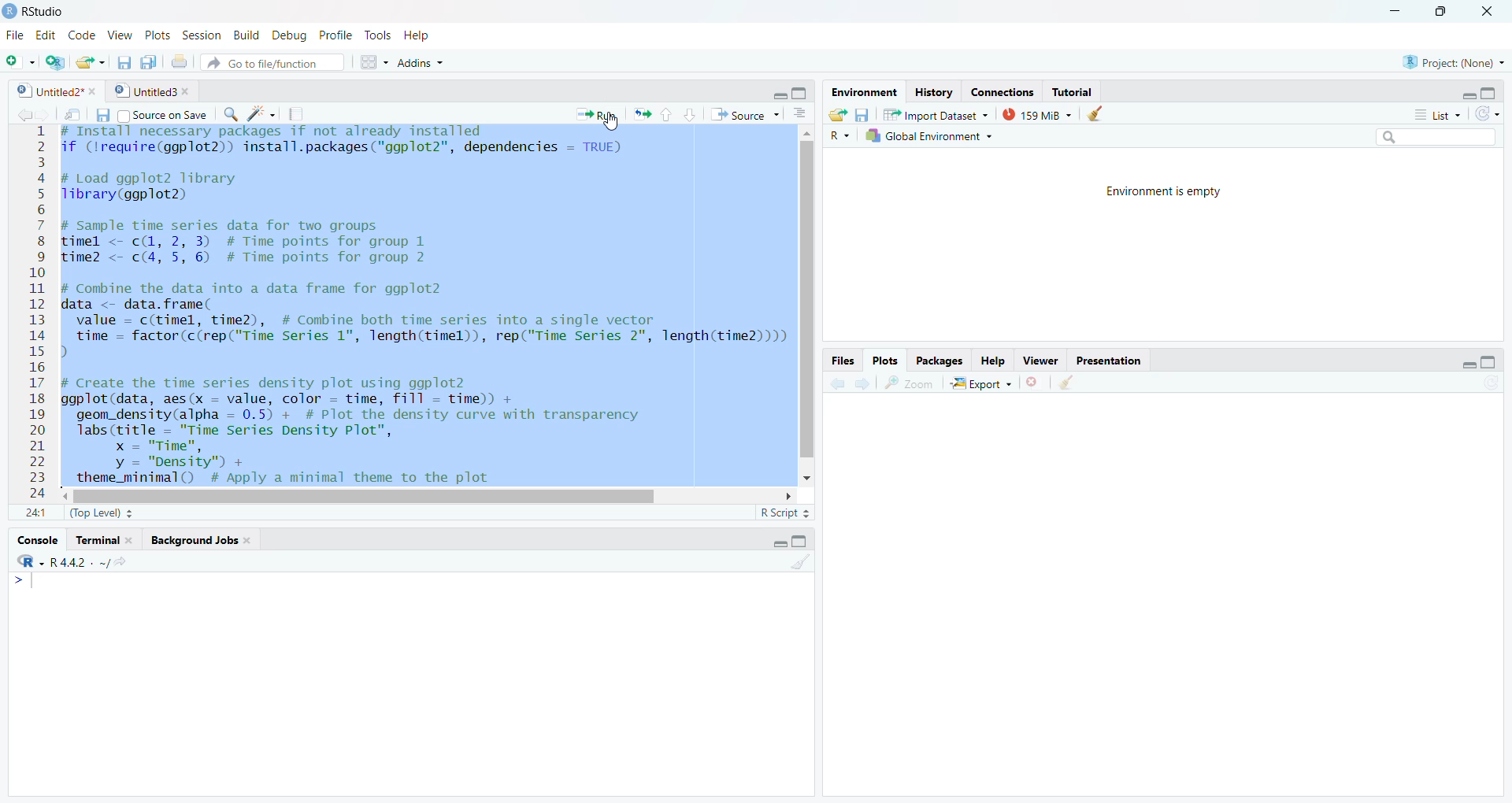  Describe the element at coordinates (18, 116) in the screenshot. I see `Back` at that location.